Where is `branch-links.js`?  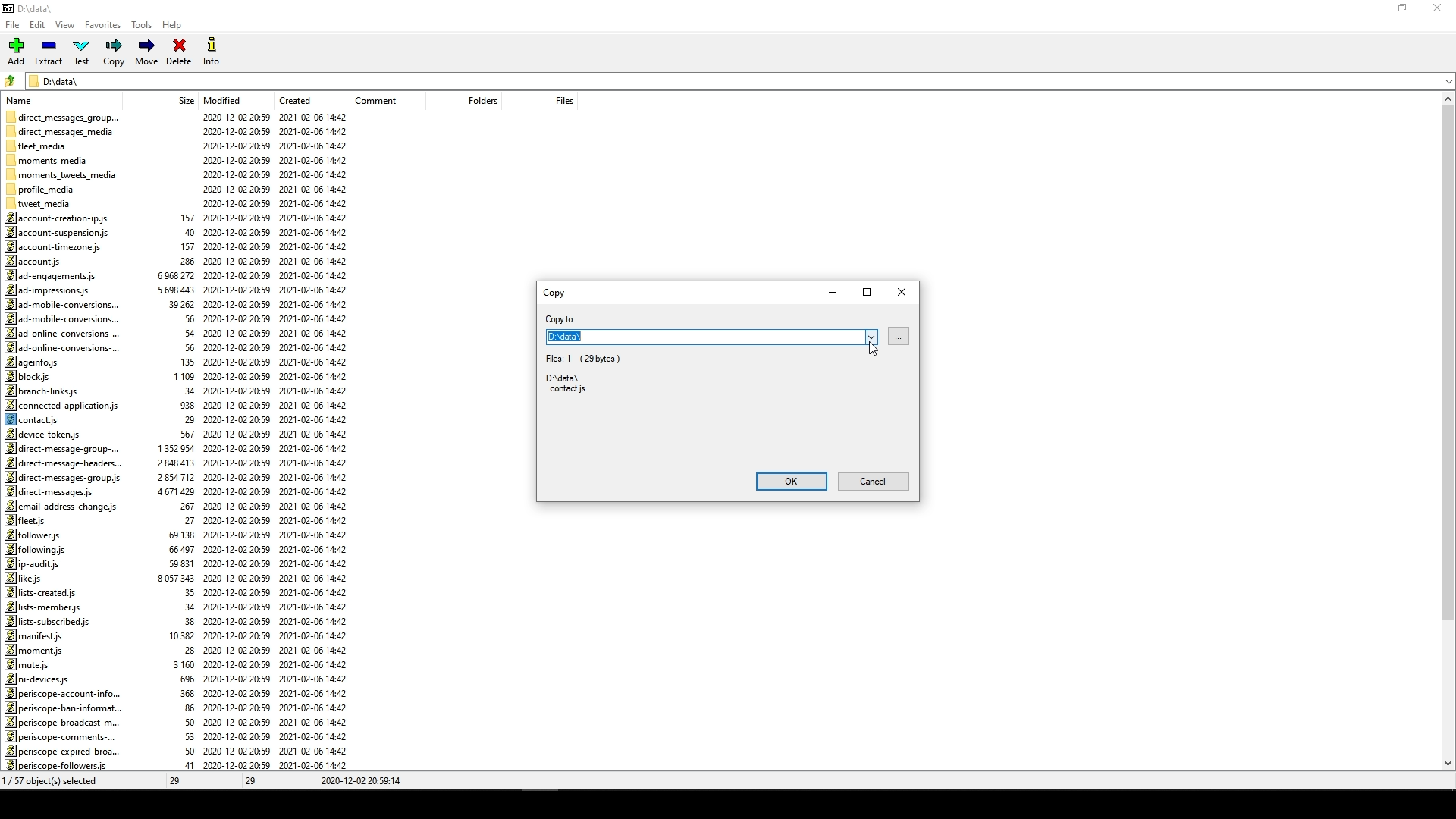 branch-links.js is located at coordinates (45, 391).